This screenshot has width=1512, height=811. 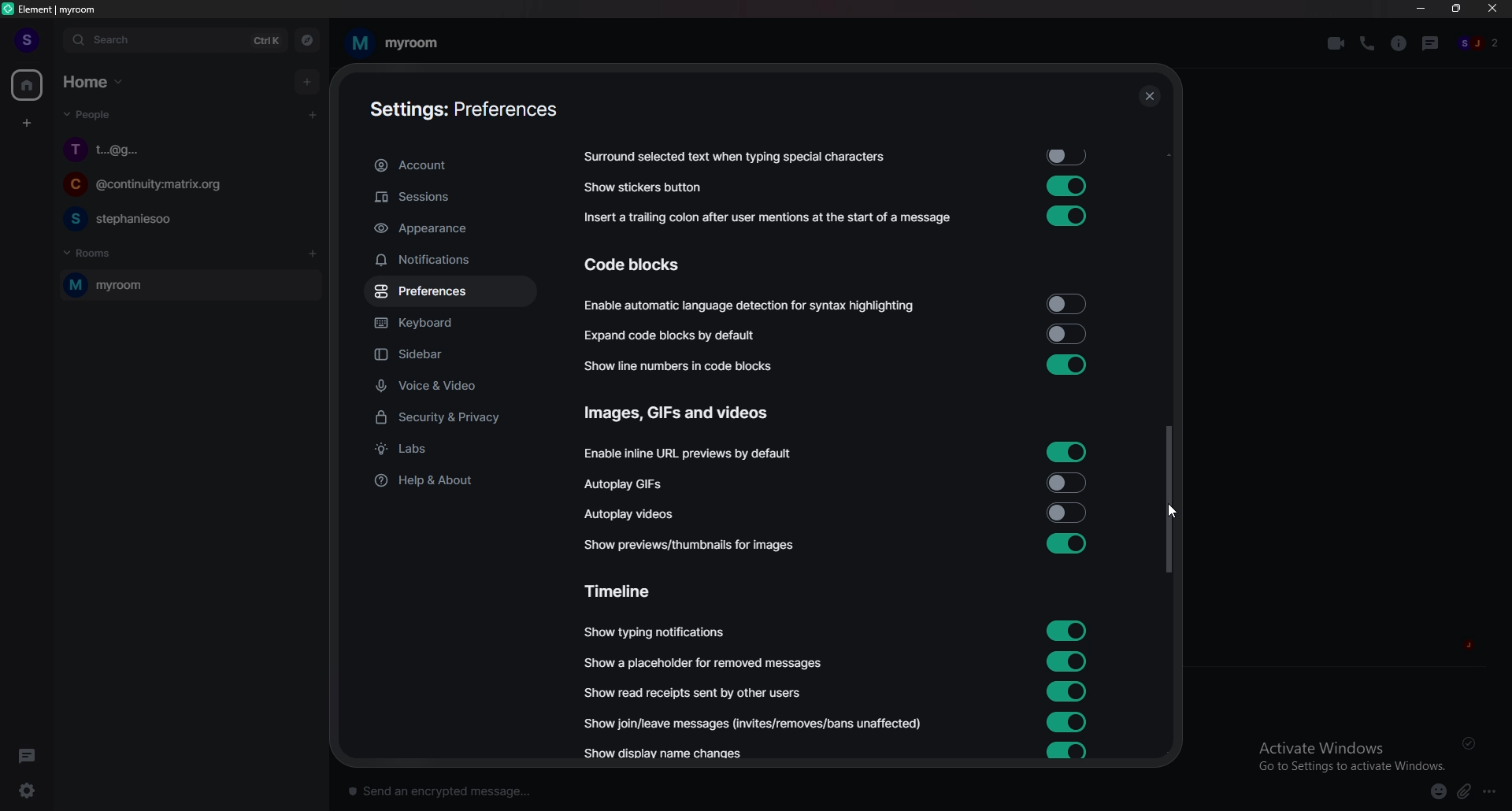 What do you see at coordinates (1458, 9) in the screenshot?
I see `resize` at bounding box center [1458, 9].